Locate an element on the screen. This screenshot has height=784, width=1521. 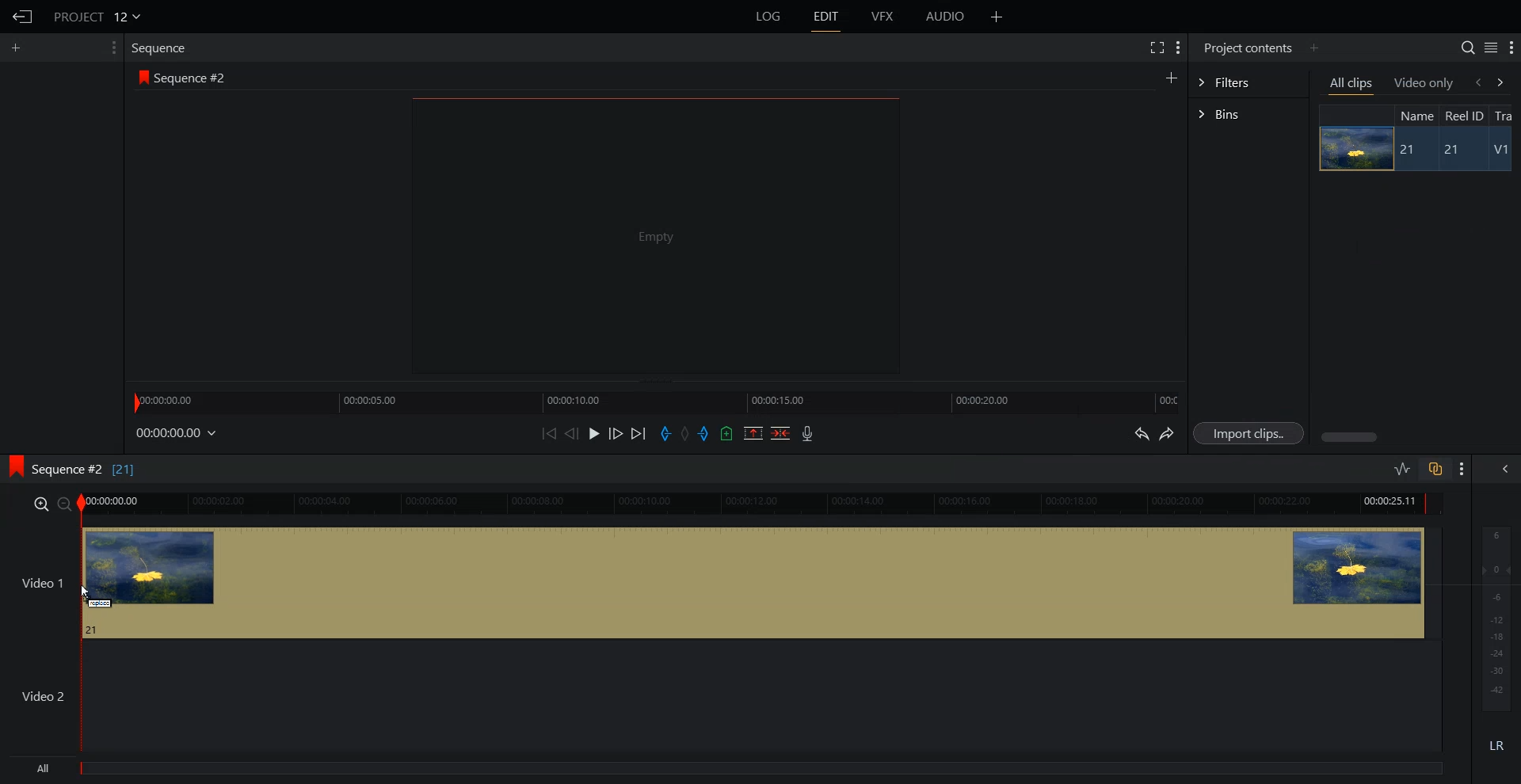
Play is located at coordinates (594, 433).